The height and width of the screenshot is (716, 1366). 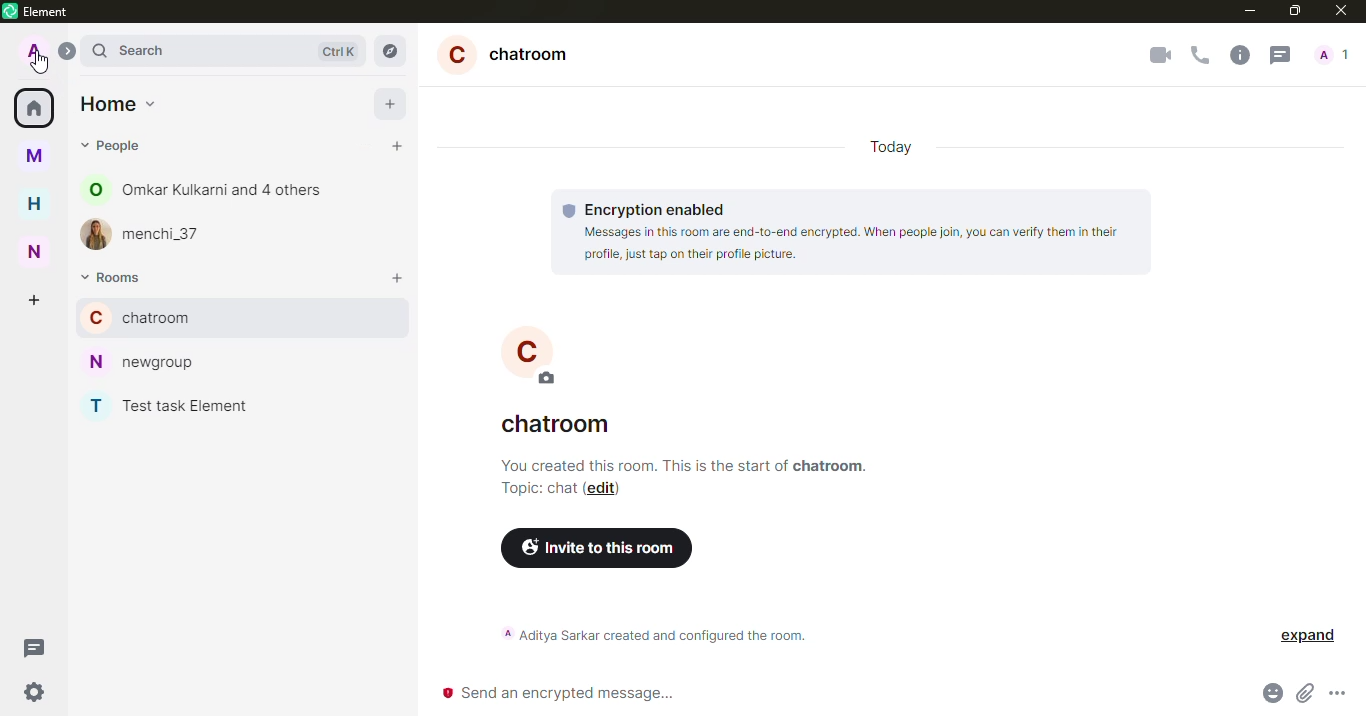 I want to click on home, so click(x=116, y=102).